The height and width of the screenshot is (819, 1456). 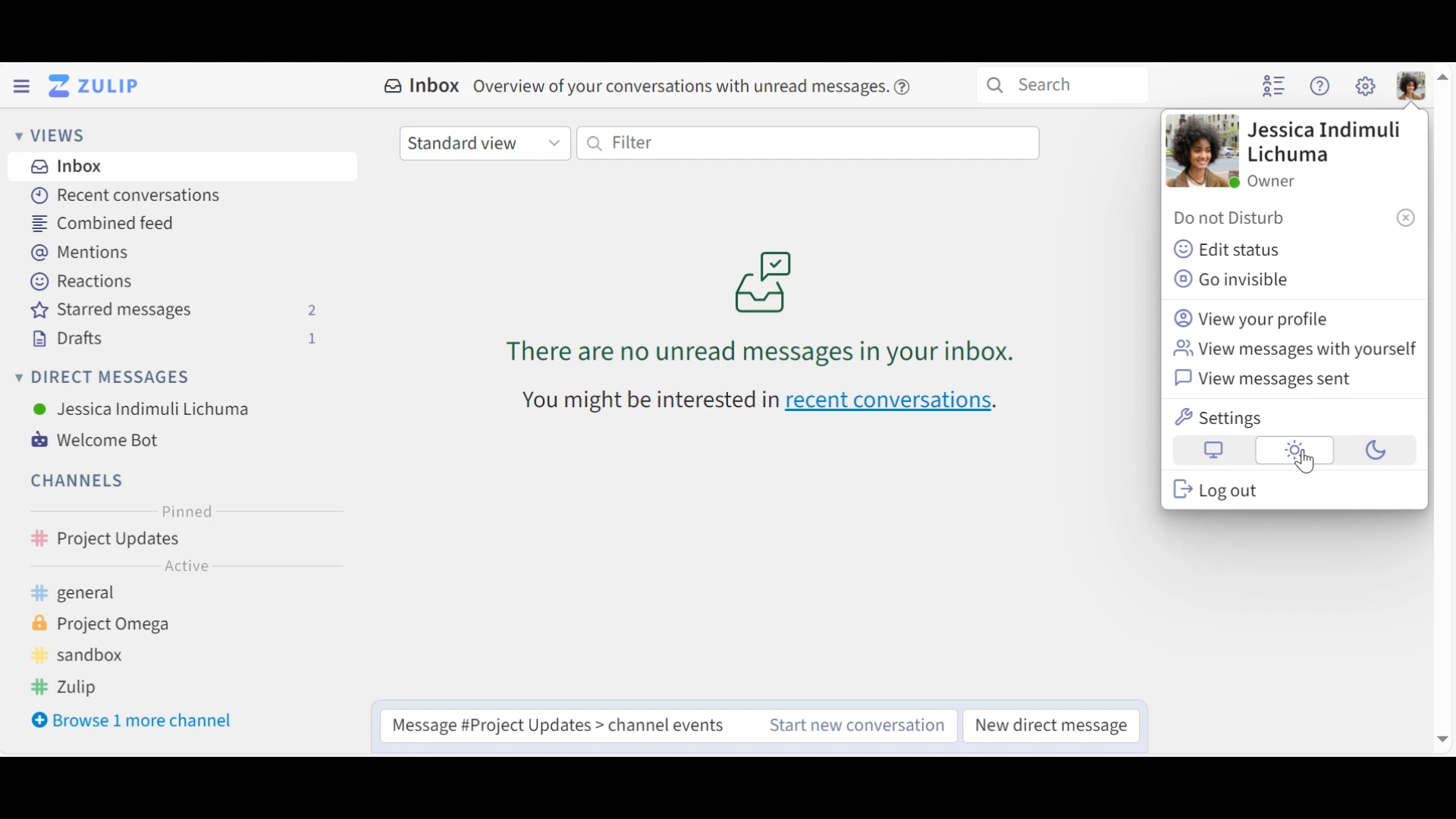 I want to click on settings, so click(x=1364, y=86).